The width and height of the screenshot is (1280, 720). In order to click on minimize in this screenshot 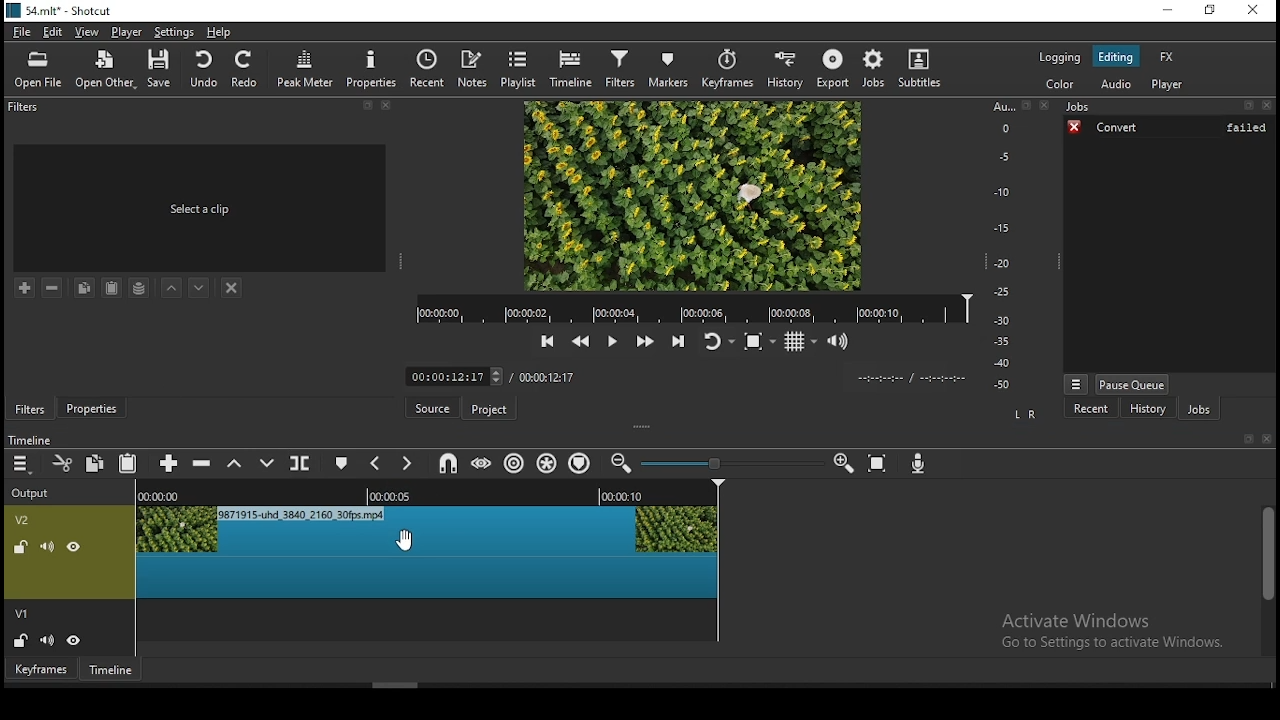, I will do `click(1163, 10)`.